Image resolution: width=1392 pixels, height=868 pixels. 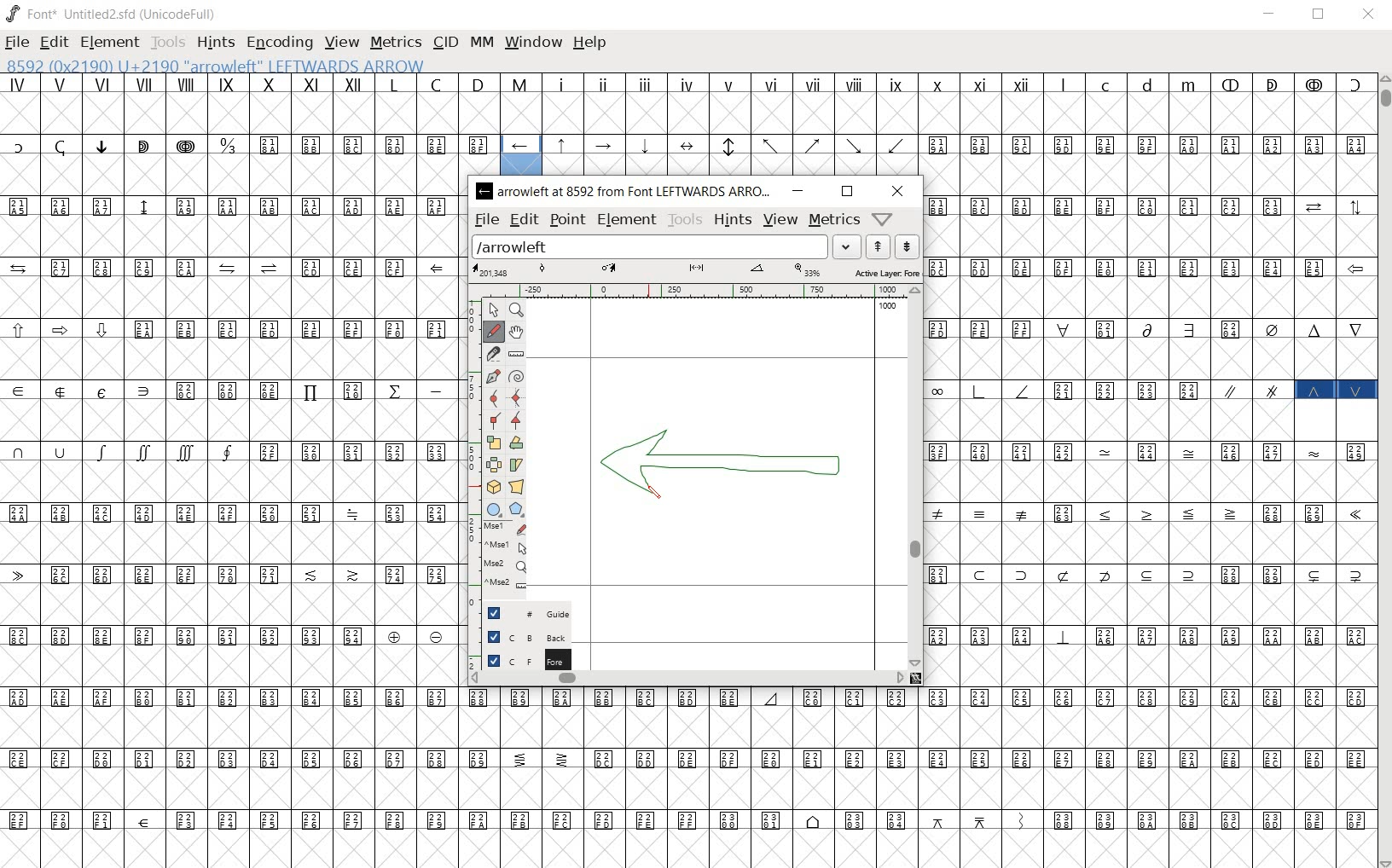 What do you see at coordinates (517, 310) in the screenshot?
I see `Magnify` at bounding box center [517, 310].